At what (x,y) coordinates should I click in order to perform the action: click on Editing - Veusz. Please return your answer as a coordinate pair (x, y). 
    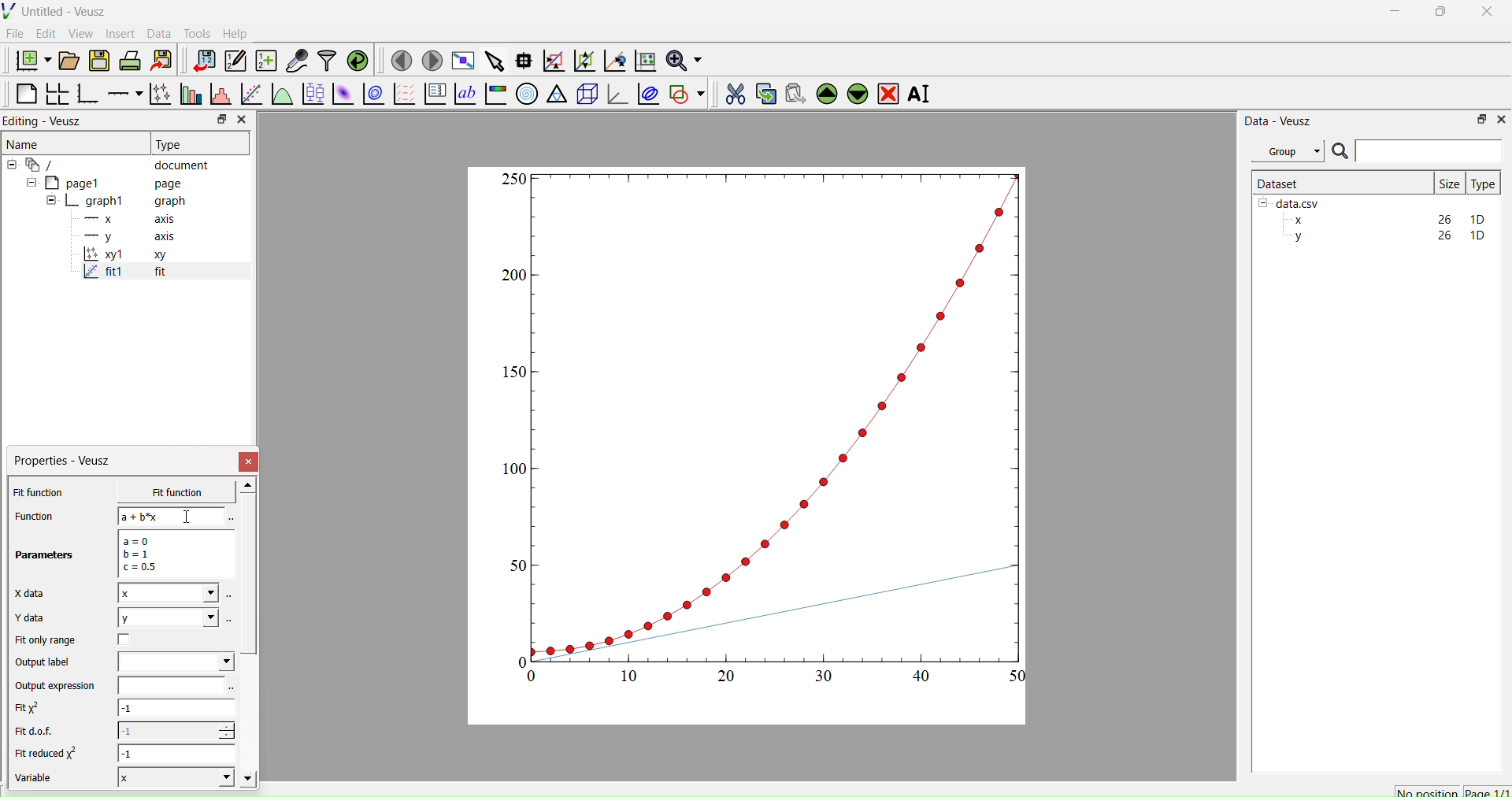
    Looking at the image, I should click on (47, 120).